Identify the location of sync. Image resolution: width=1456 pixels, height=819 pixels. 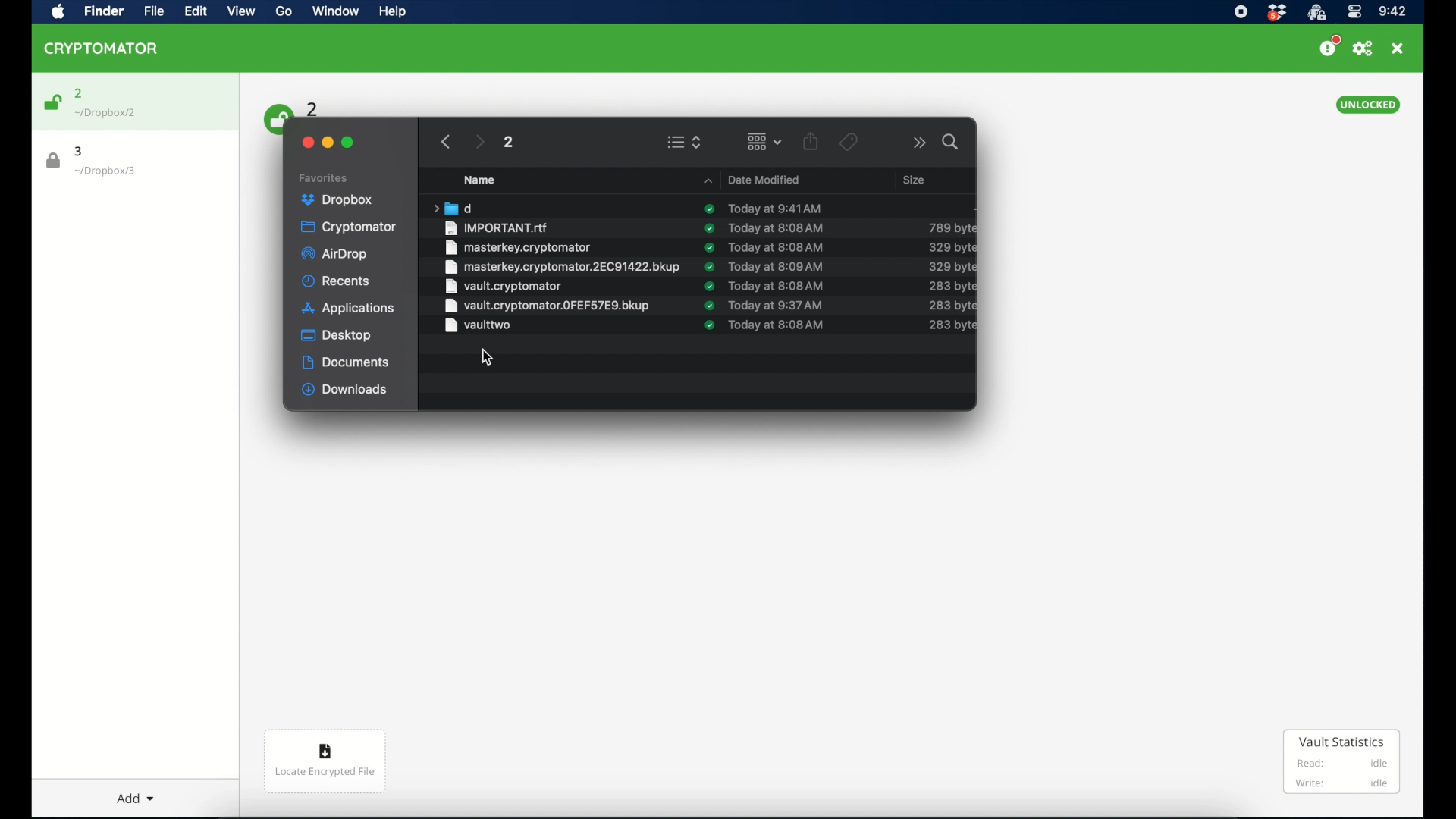
(710, 266).